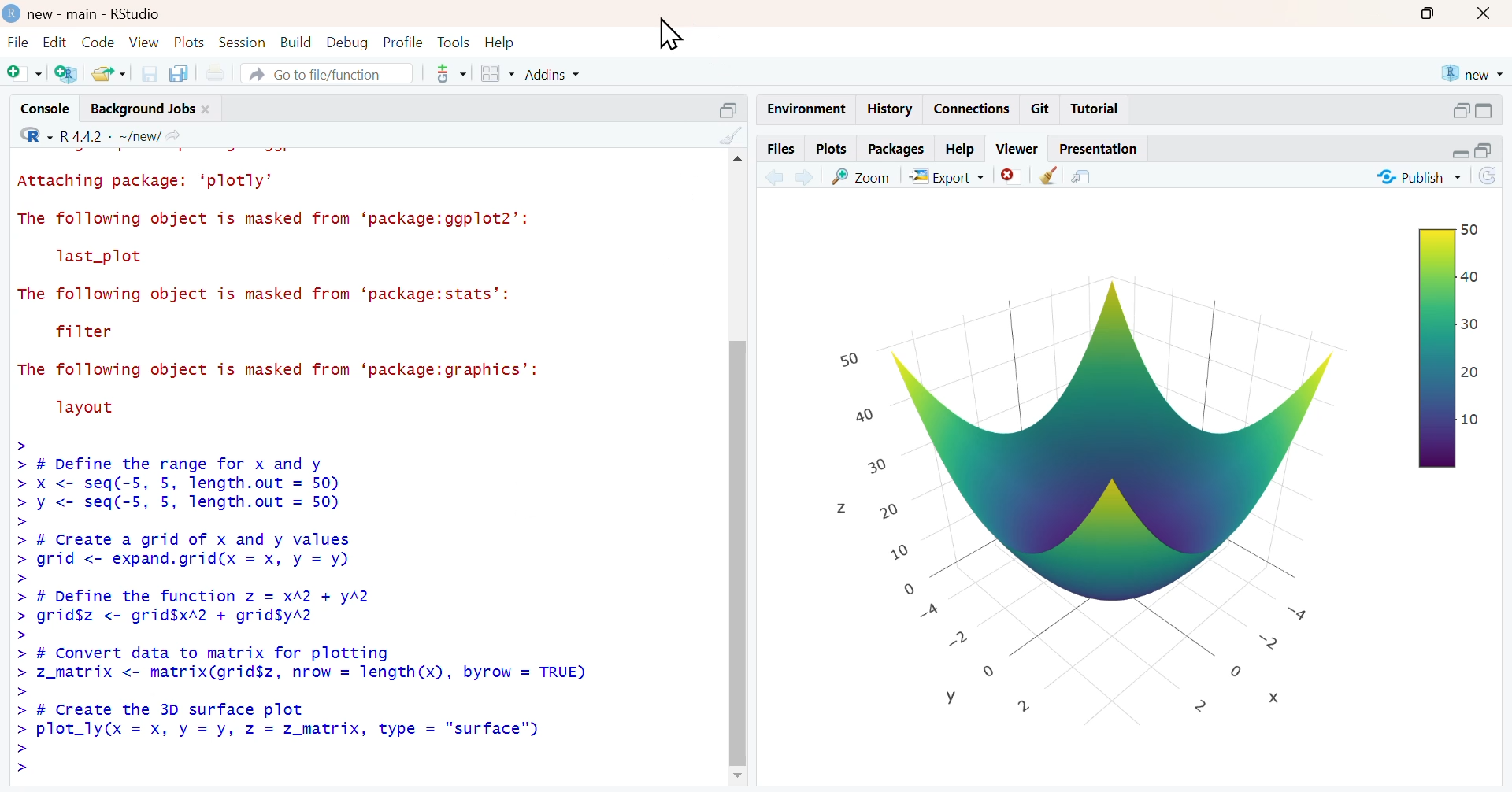 This screenshot has width=1512, height=792. What do you see at coordinates (451, 76) in the screenshot?
I see `git pane` at bounding box center [451, 76].